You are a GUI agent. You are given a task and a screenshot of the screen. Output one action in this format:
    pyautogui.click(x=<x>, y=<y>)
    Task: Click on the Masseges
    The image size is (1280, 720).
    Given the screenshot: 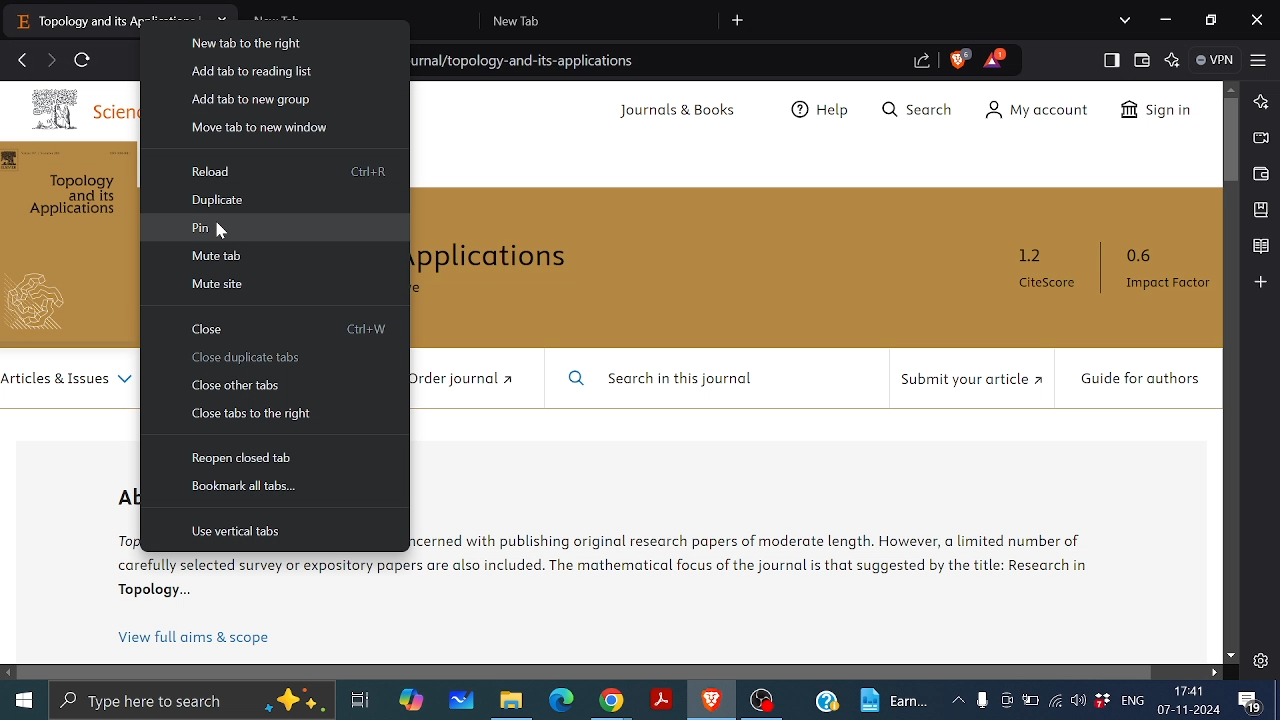 What is the action you would take?
    pyautogui.click(x=1253, y=701)
    